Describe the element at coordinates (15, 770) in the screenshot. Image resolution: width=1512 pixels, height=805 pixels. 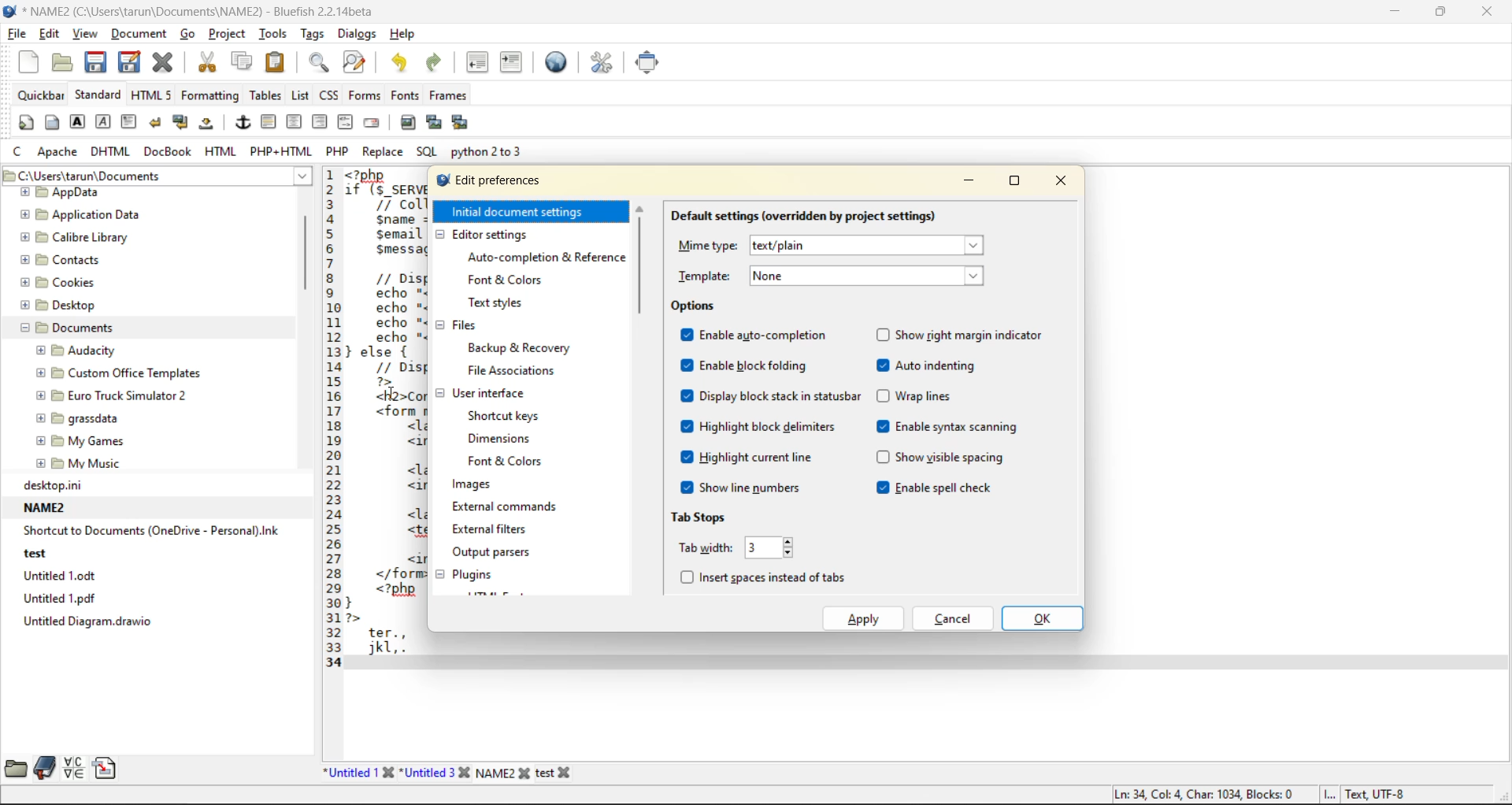
I see `file browser` at that location.